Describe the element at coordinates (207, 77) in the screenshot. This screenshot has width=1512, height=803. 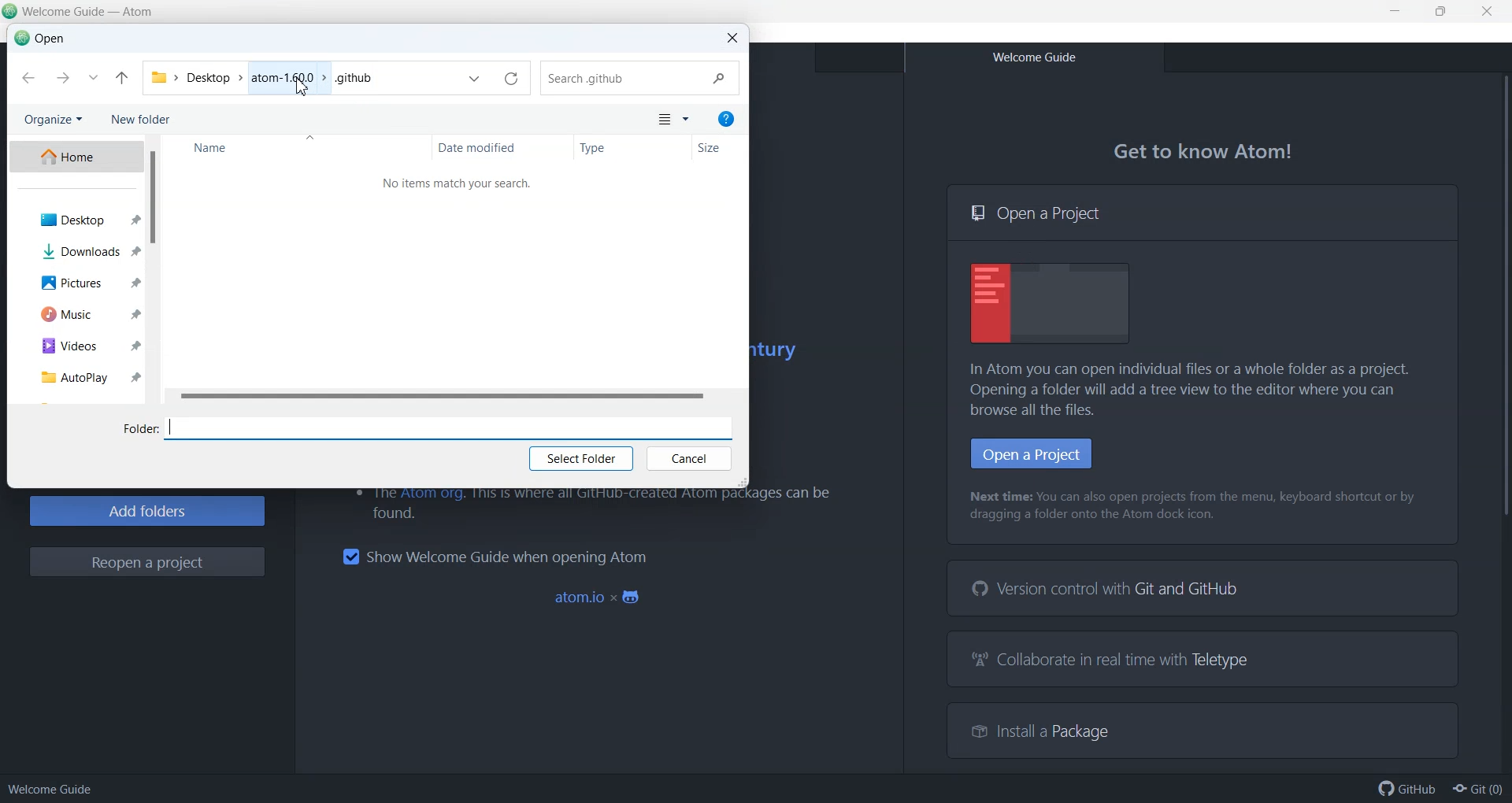
I see `Desktop` at that location.